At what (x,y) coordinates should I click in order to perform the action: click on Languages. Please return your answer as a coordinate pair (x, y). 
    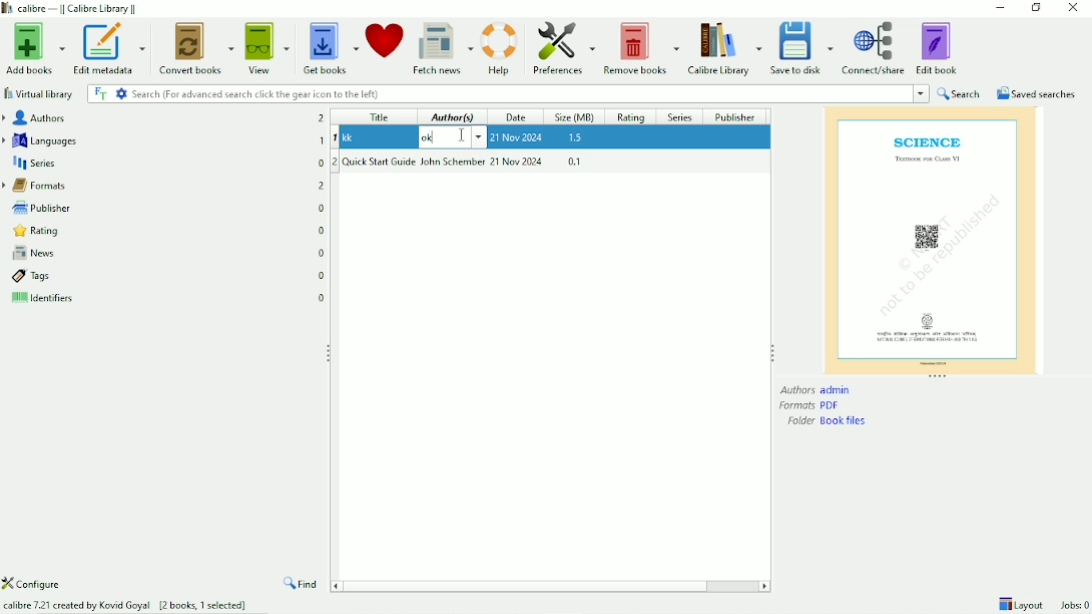
    Looking at the image, I should click on (162, 141).